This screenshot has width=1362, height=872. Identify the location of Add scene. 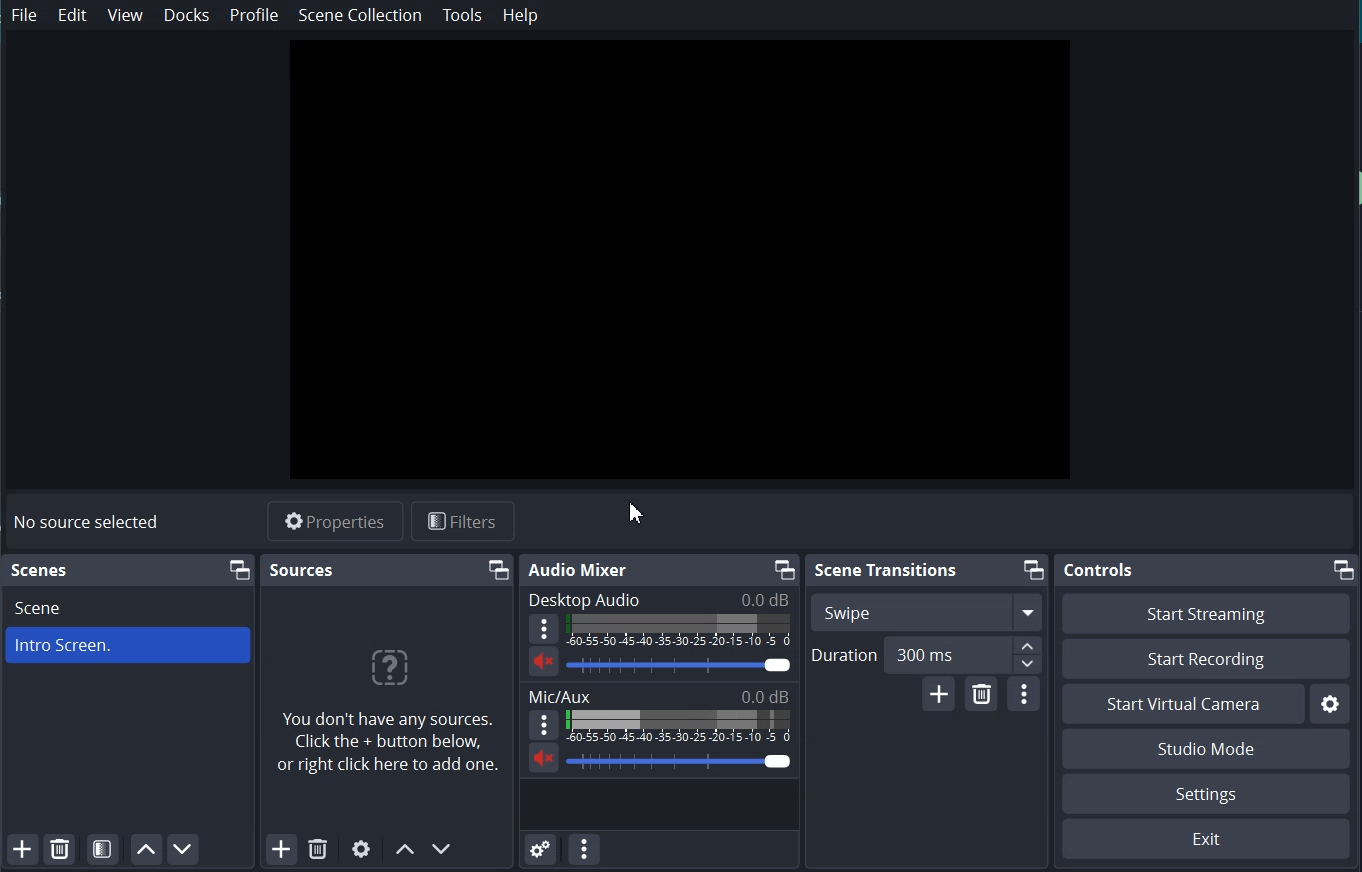
(21, 849).